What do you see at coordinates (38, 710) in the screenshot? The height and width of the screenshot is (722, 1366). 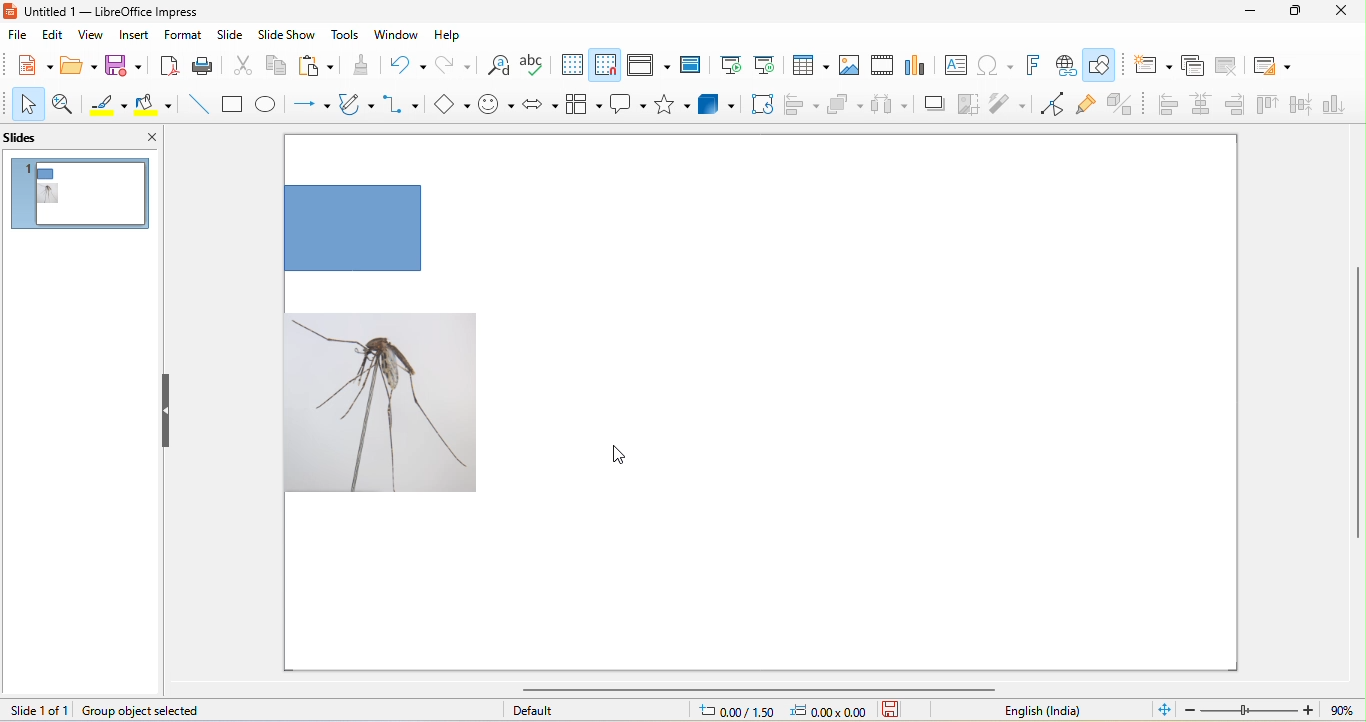 I see `slide 1 of 1` at bounding box center [38, 710].